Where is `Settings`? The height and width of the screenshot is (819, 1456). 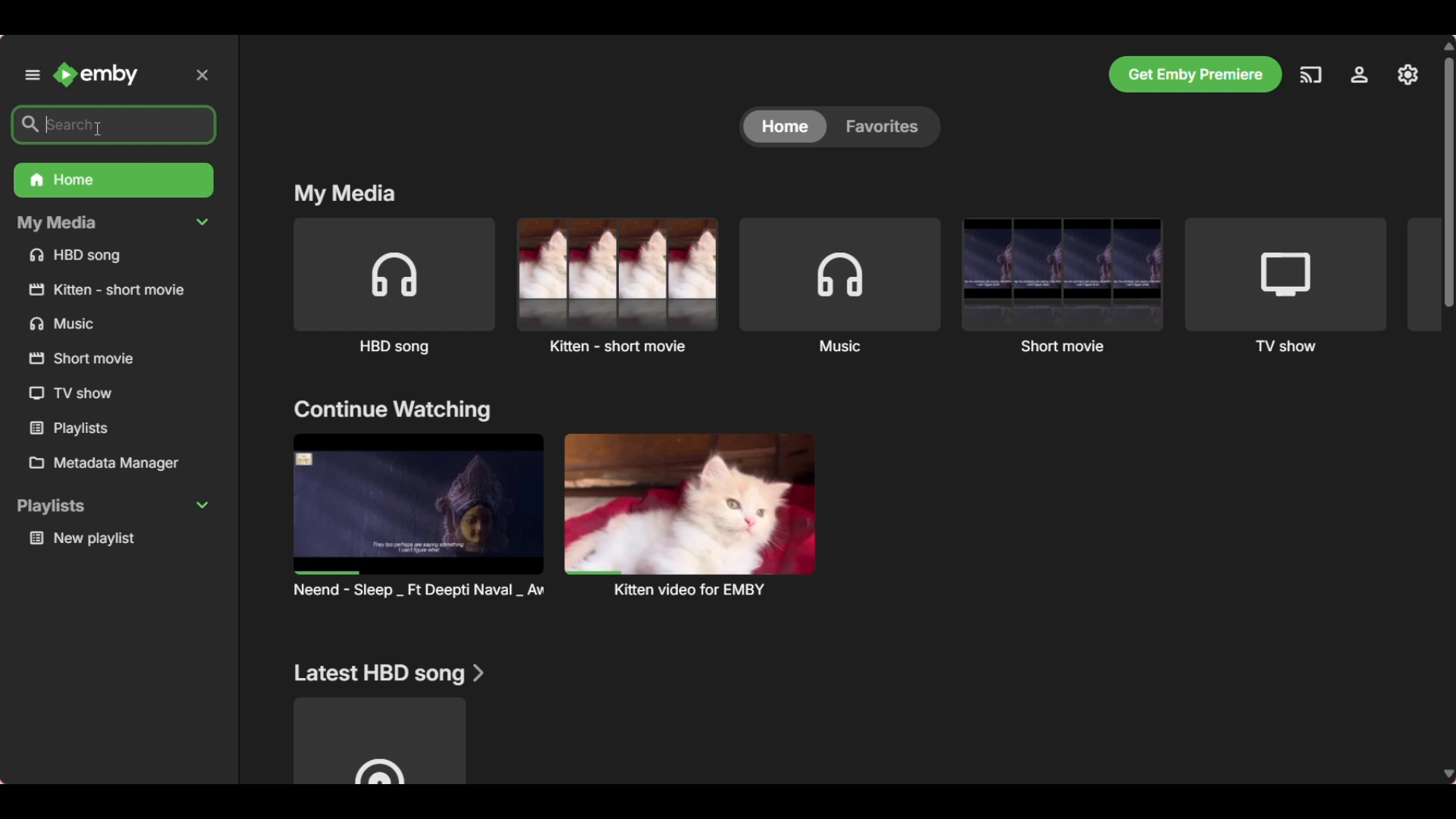
Settings is located at coordinates (1359, 75).